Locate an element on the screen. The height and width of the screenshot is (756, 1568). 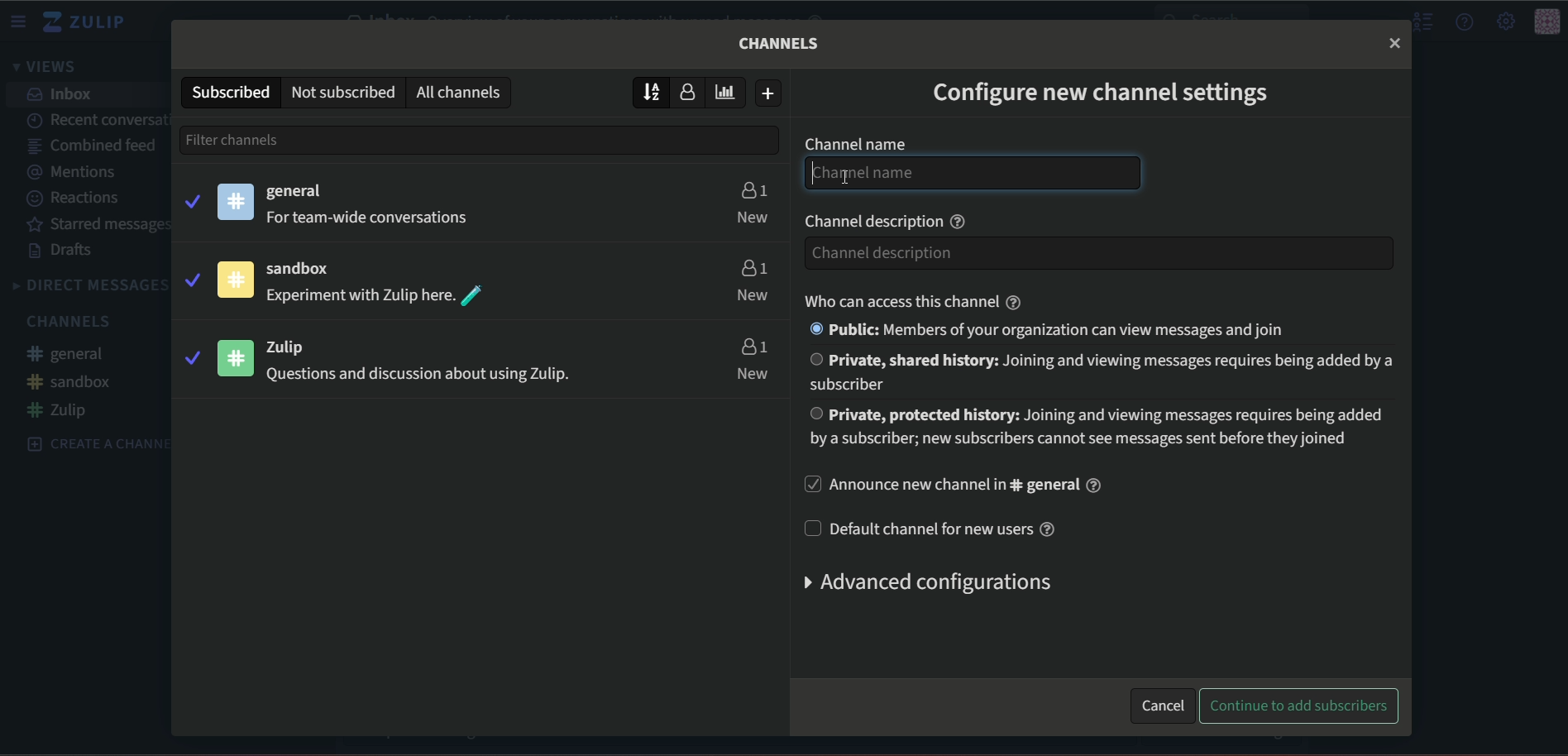
DIRECT MESSAGES is located at coordinates (85, 285).